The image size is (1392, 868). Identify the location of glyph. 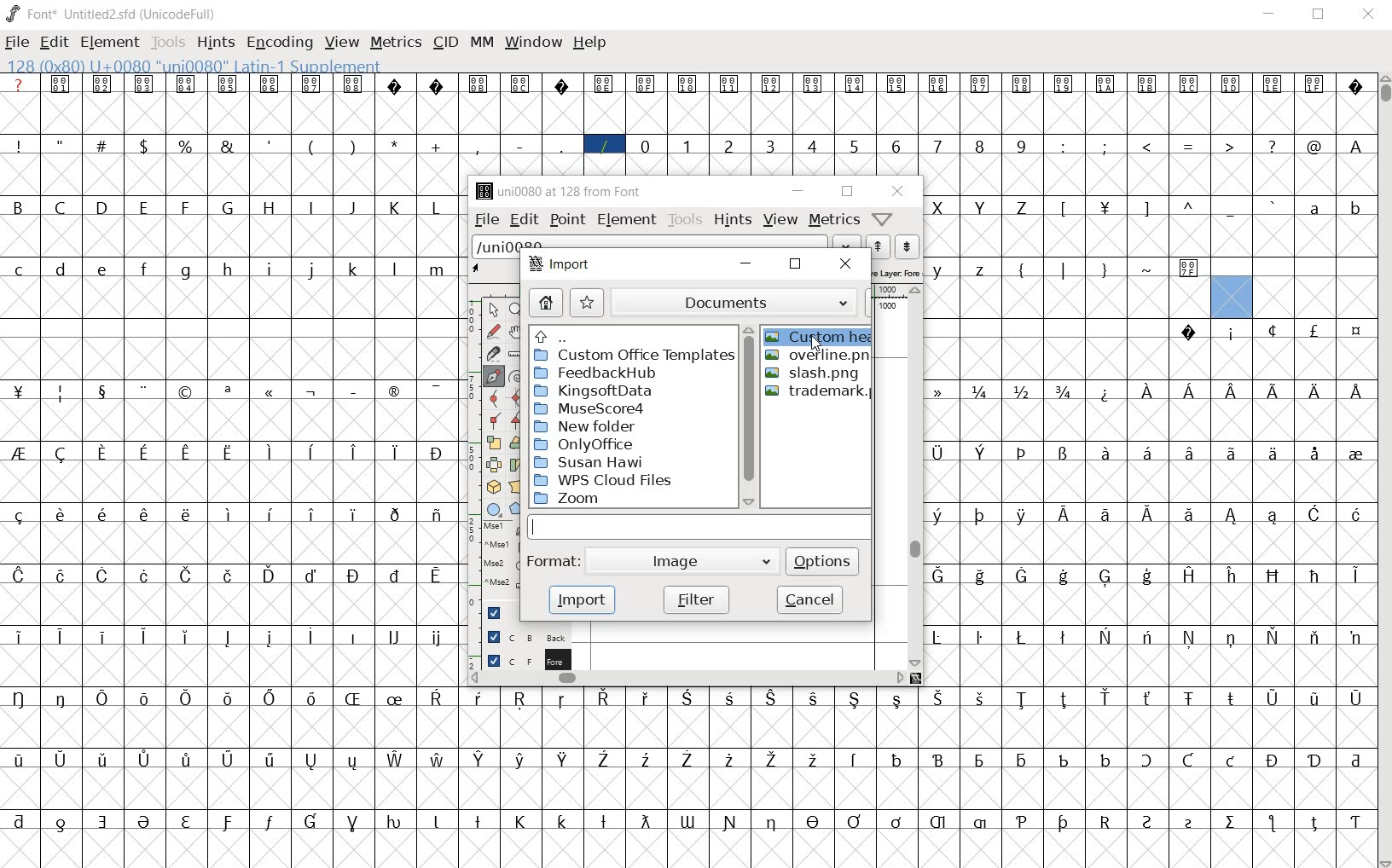
(270, 208).